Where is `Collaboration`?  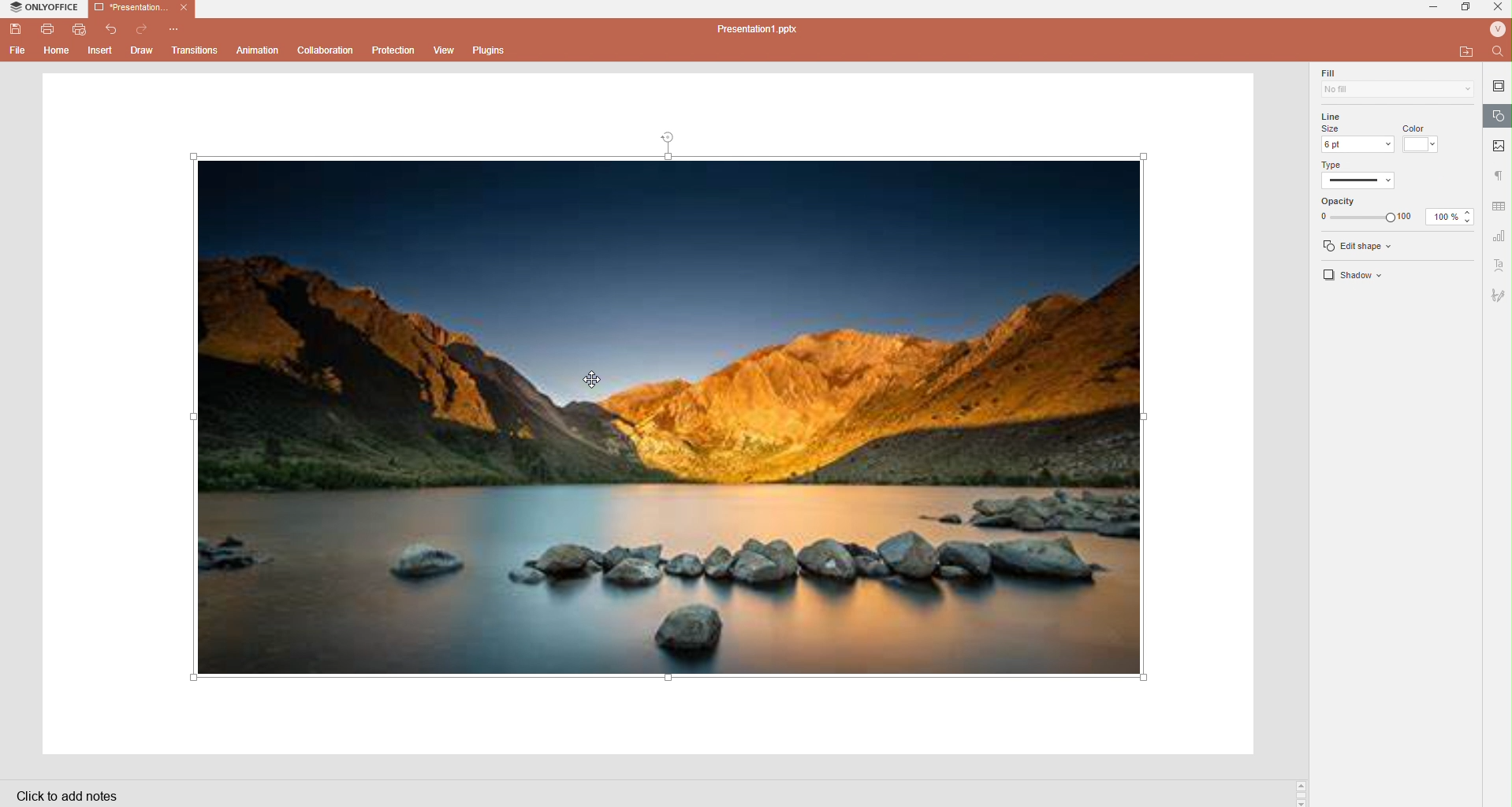 Collaboration is located at coordinates (326, 50).